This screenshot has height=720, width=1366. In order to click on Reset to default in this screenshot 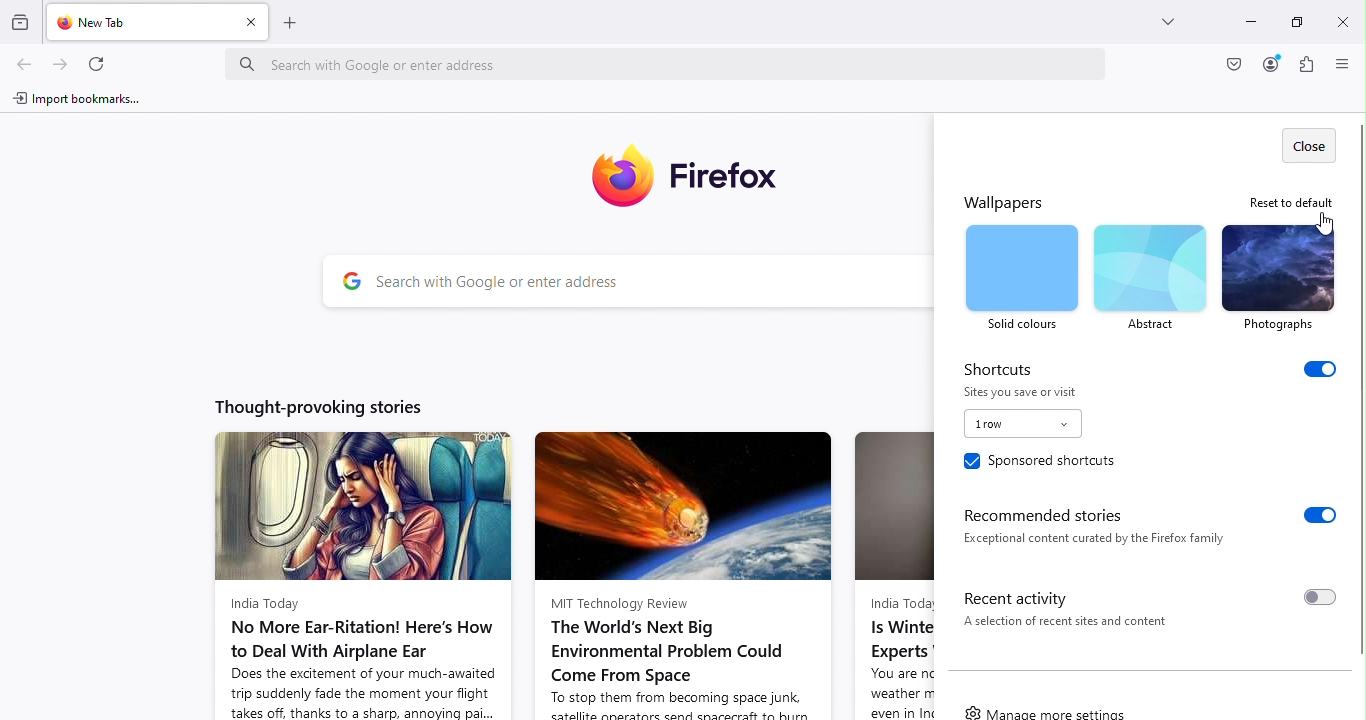, I will do `click(1288, 201)`.